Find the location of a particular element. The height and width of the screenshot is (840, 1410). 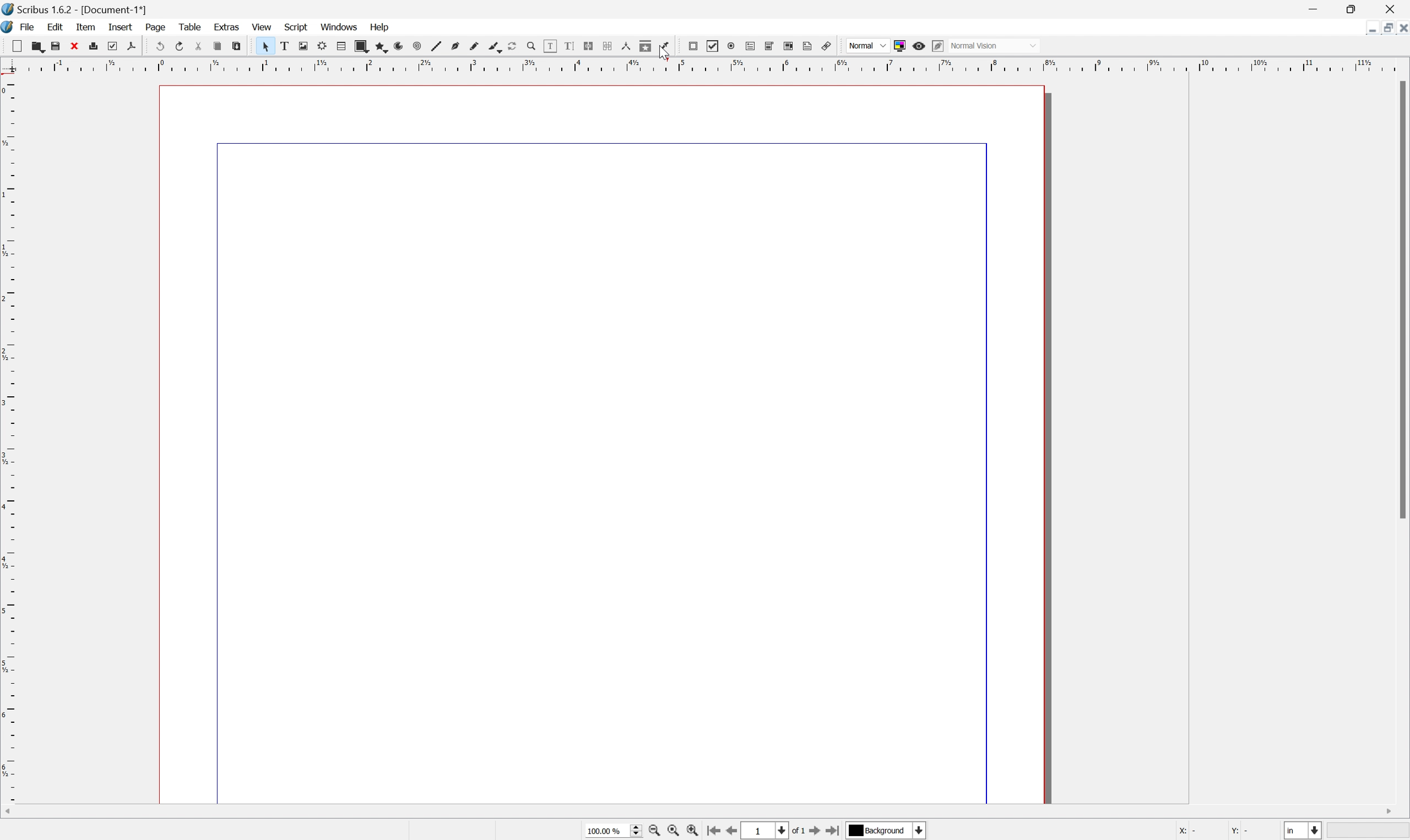

Close is located at coordinates (1401, 29).